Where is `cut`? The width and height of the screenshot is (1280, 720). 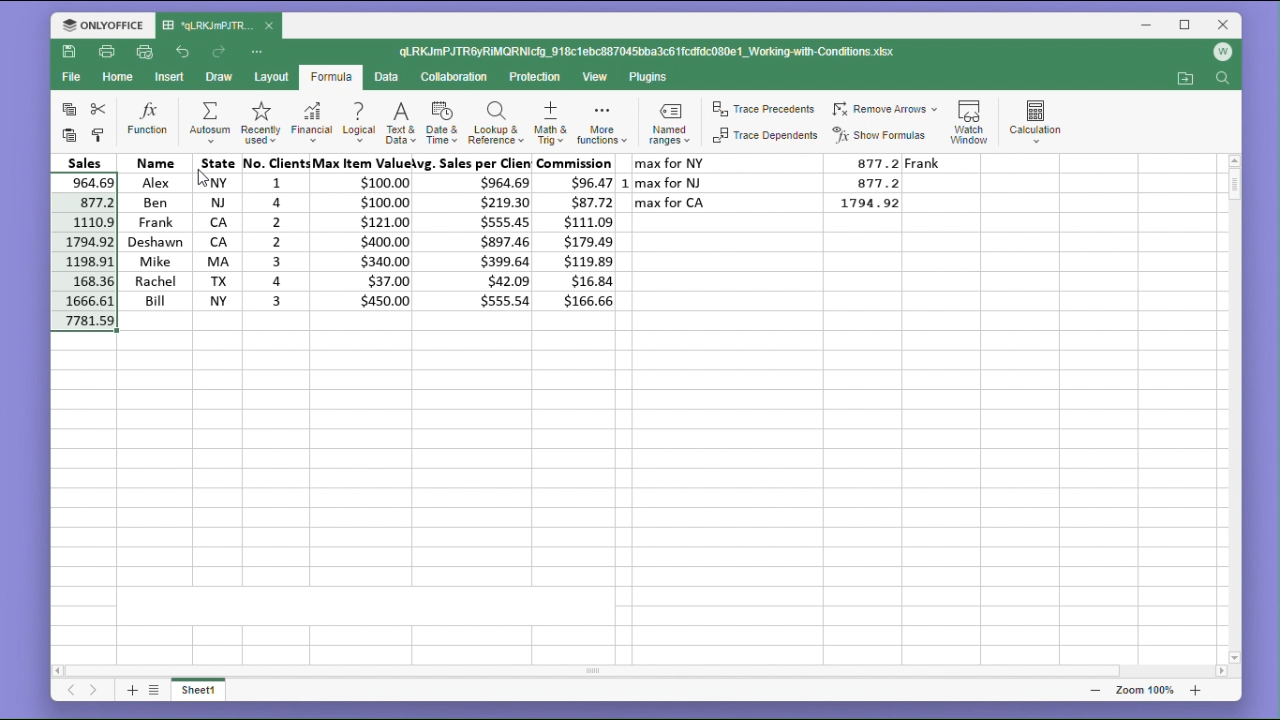
cut is located at coordinates (102, 109).